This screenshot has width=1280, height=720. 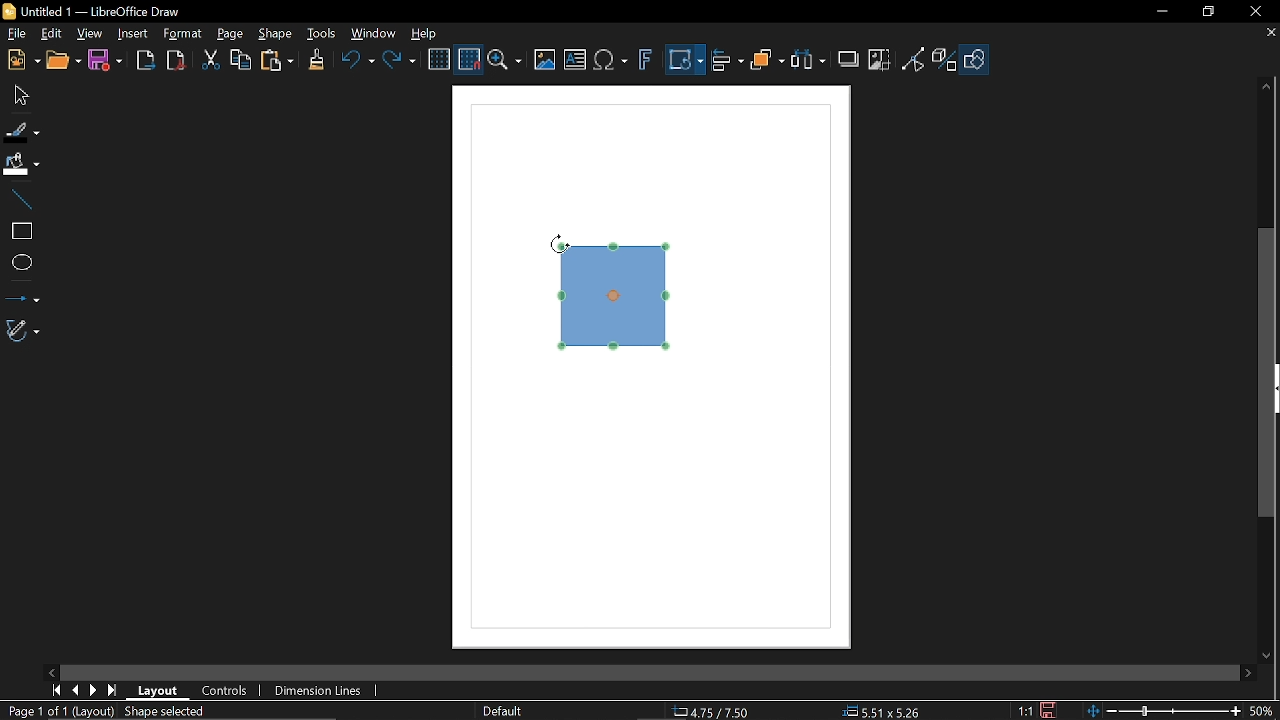 I want to click on Redo, so click(x=398, y=62).